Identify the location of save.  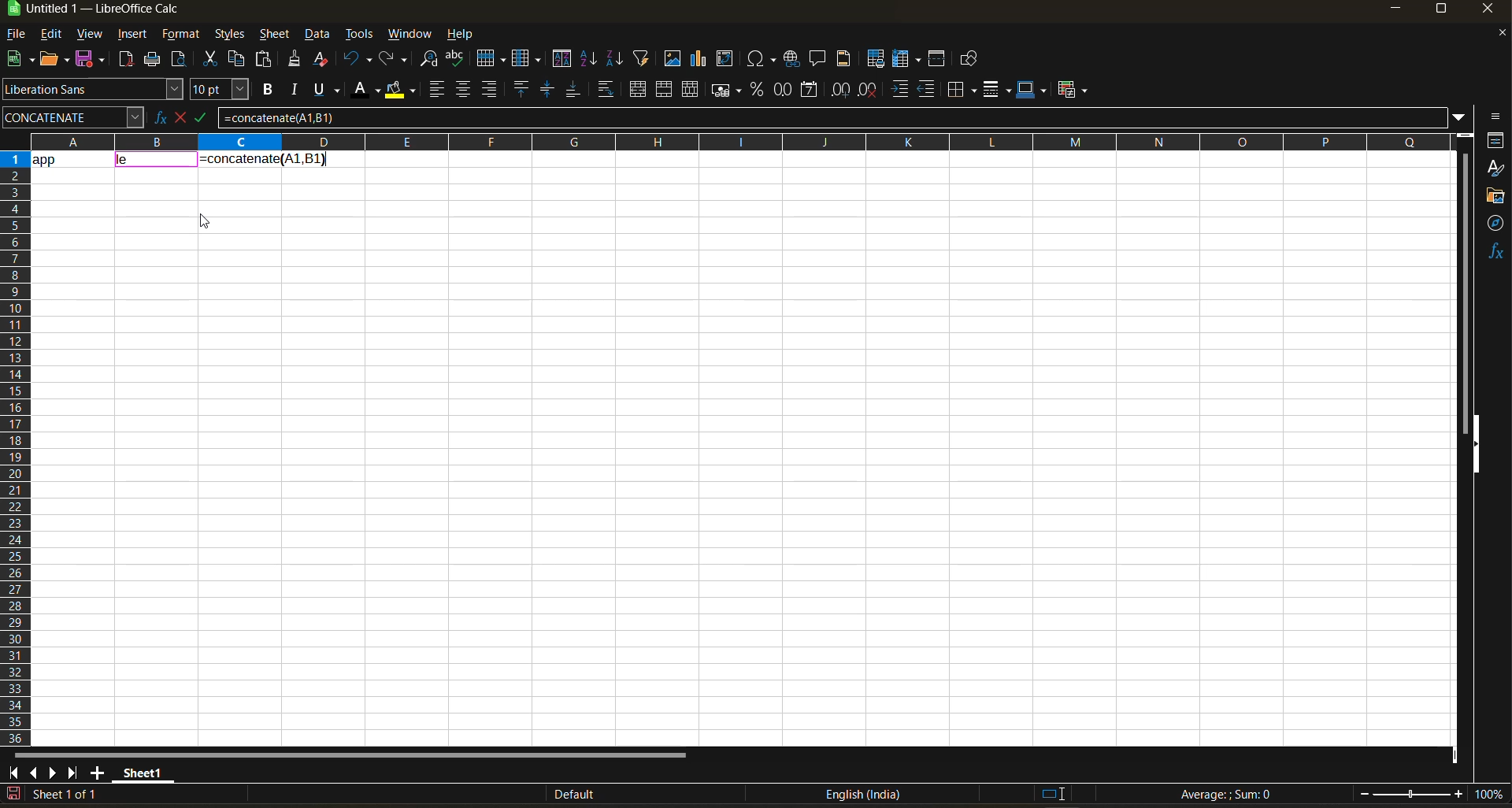
(93, 57).